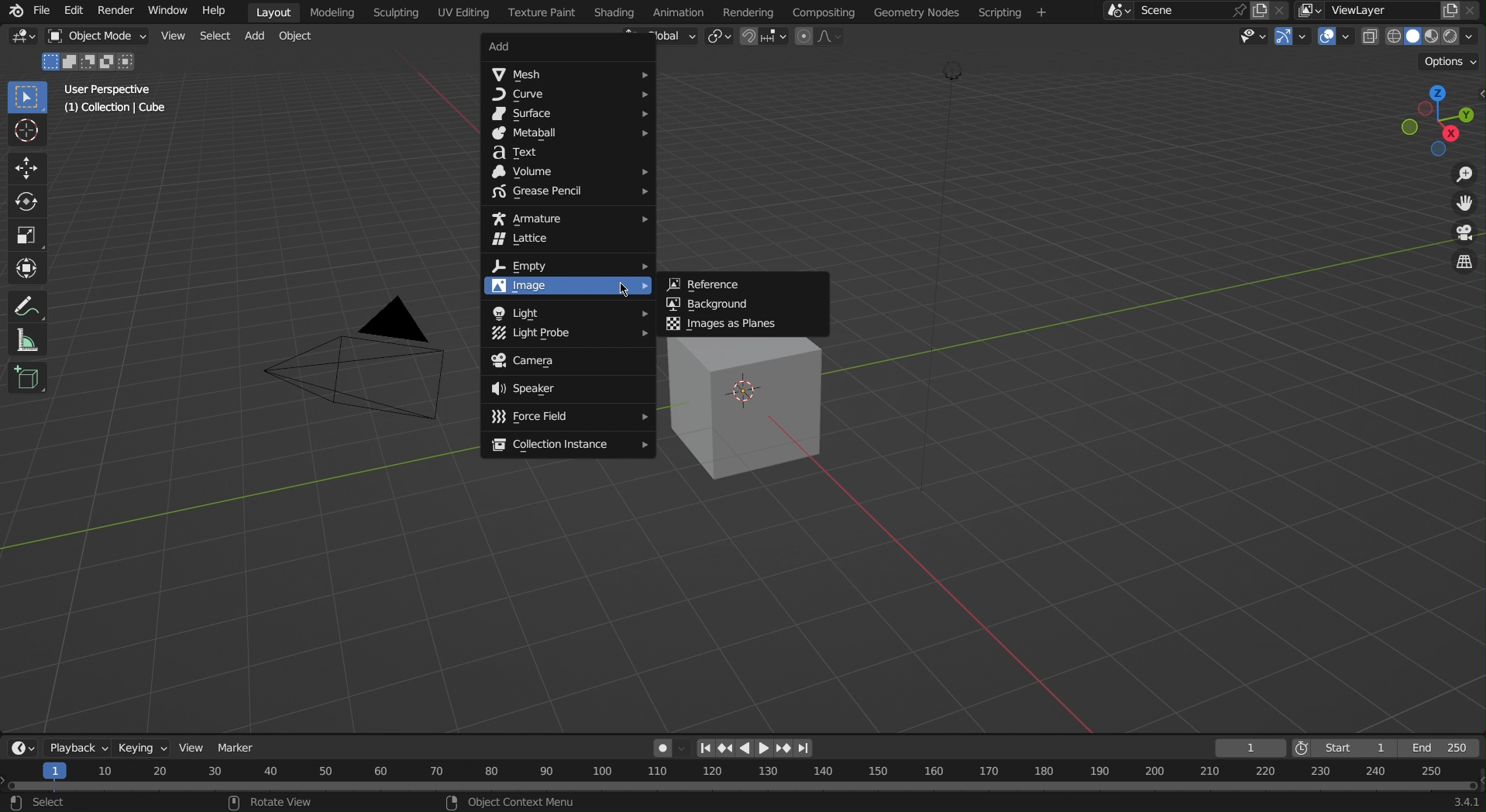 The height and width of the screenshot is (812, 1486). What do you see at coordinates (915, 12) in the screenshot?
I see `Geometry Nodes` at bounding box center [915, 12].